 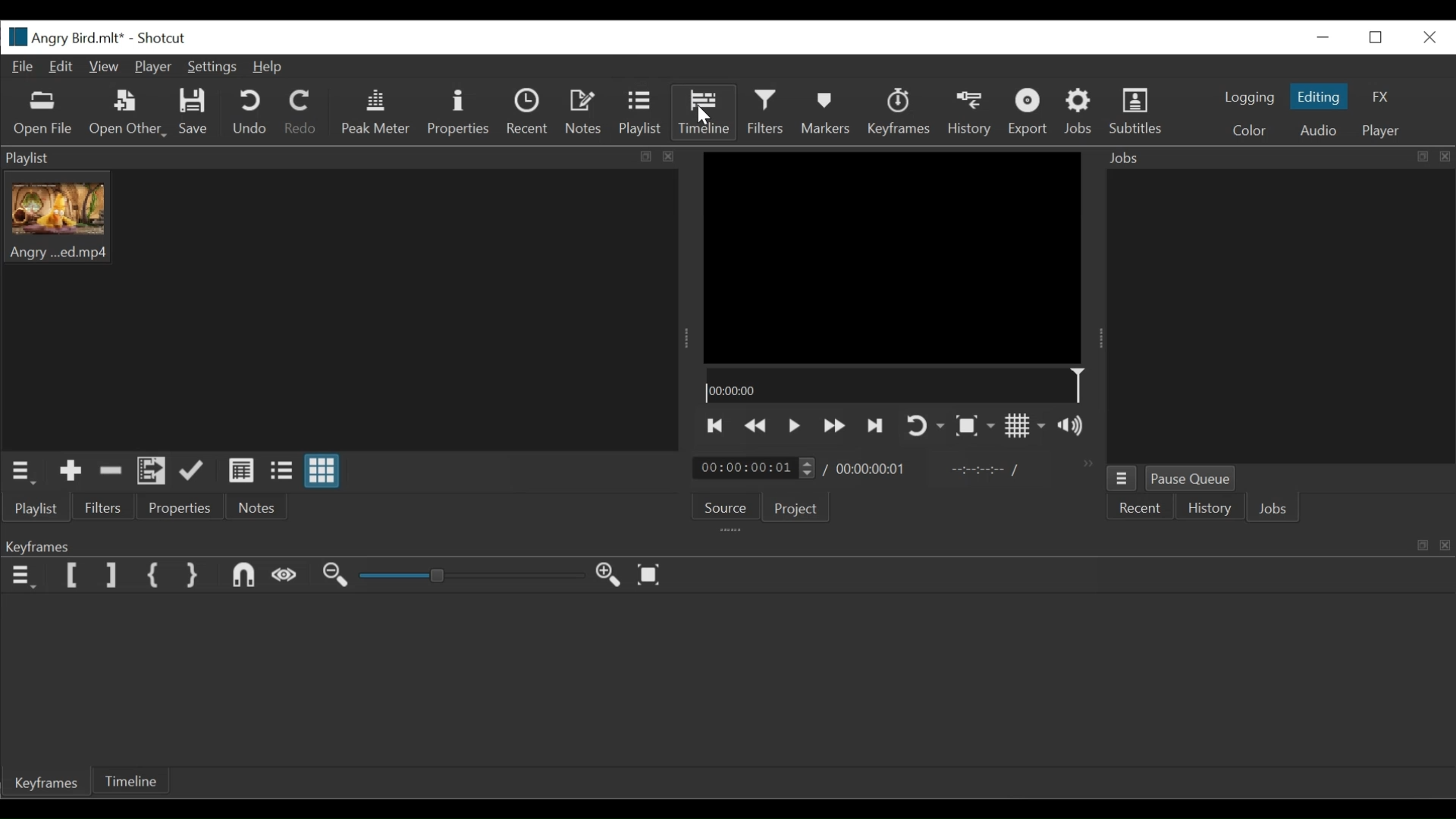 I want to click on Jobs, so click(x=1276, y=508).